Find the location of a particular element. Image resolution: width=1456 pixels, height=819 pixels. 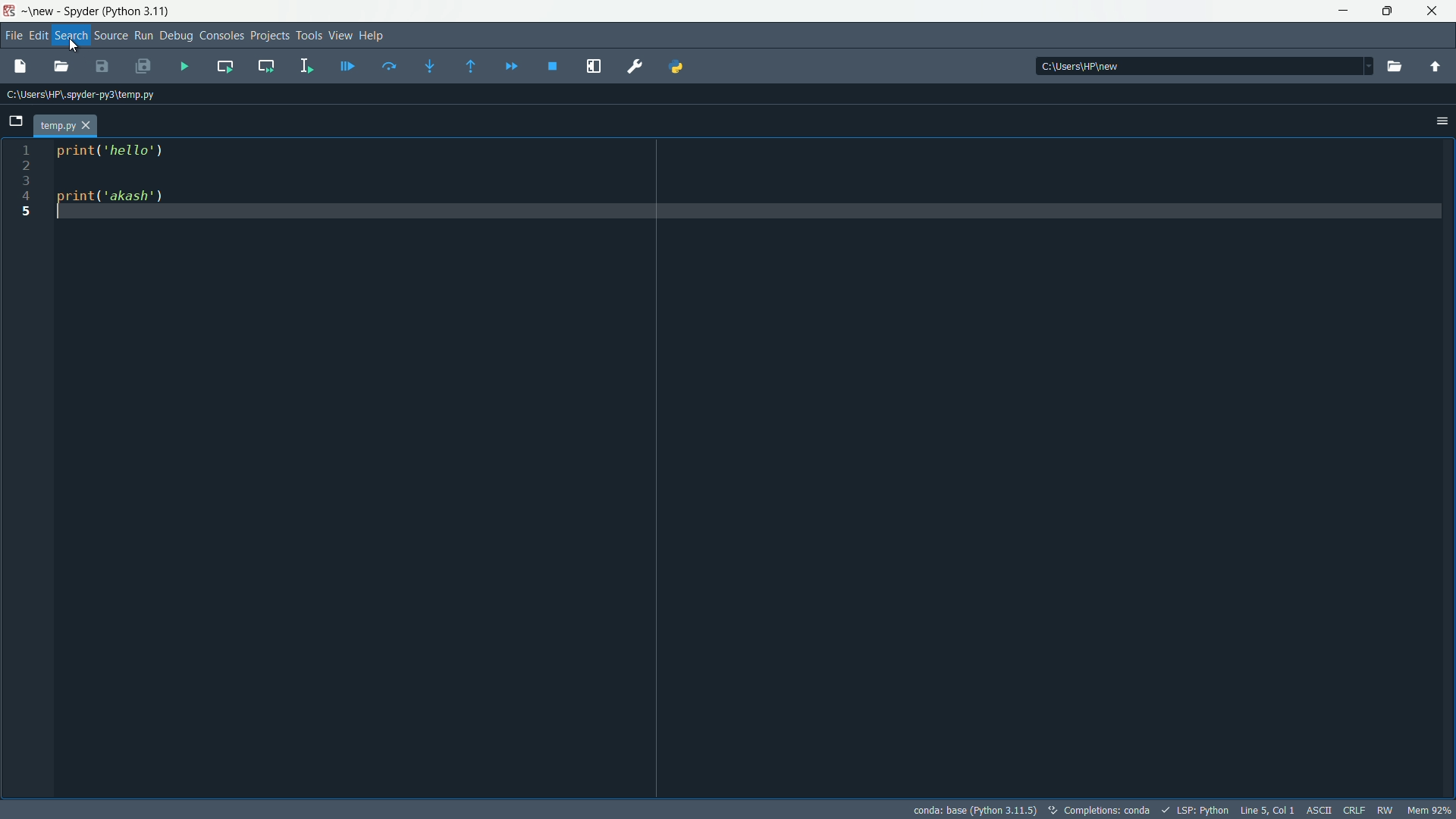

Help Menu is located at coordinates (372, 35).